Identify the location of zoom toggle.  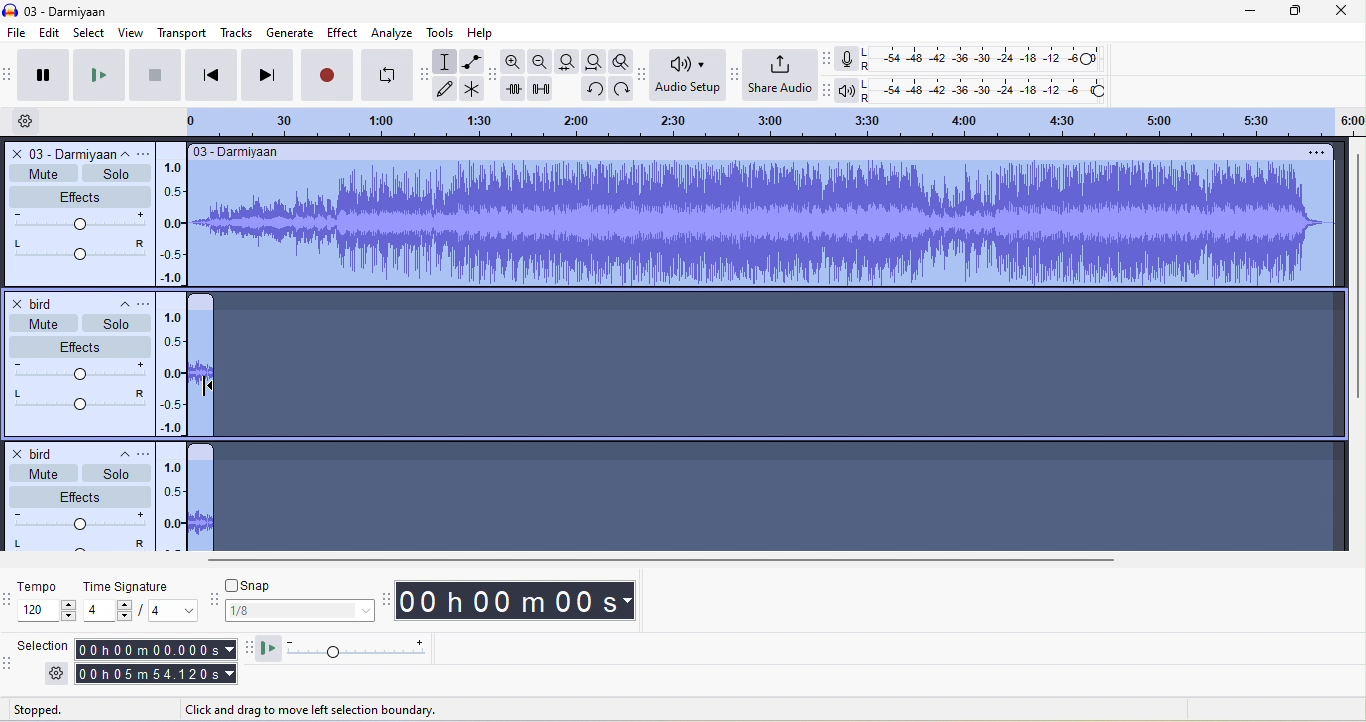
(624, 63).